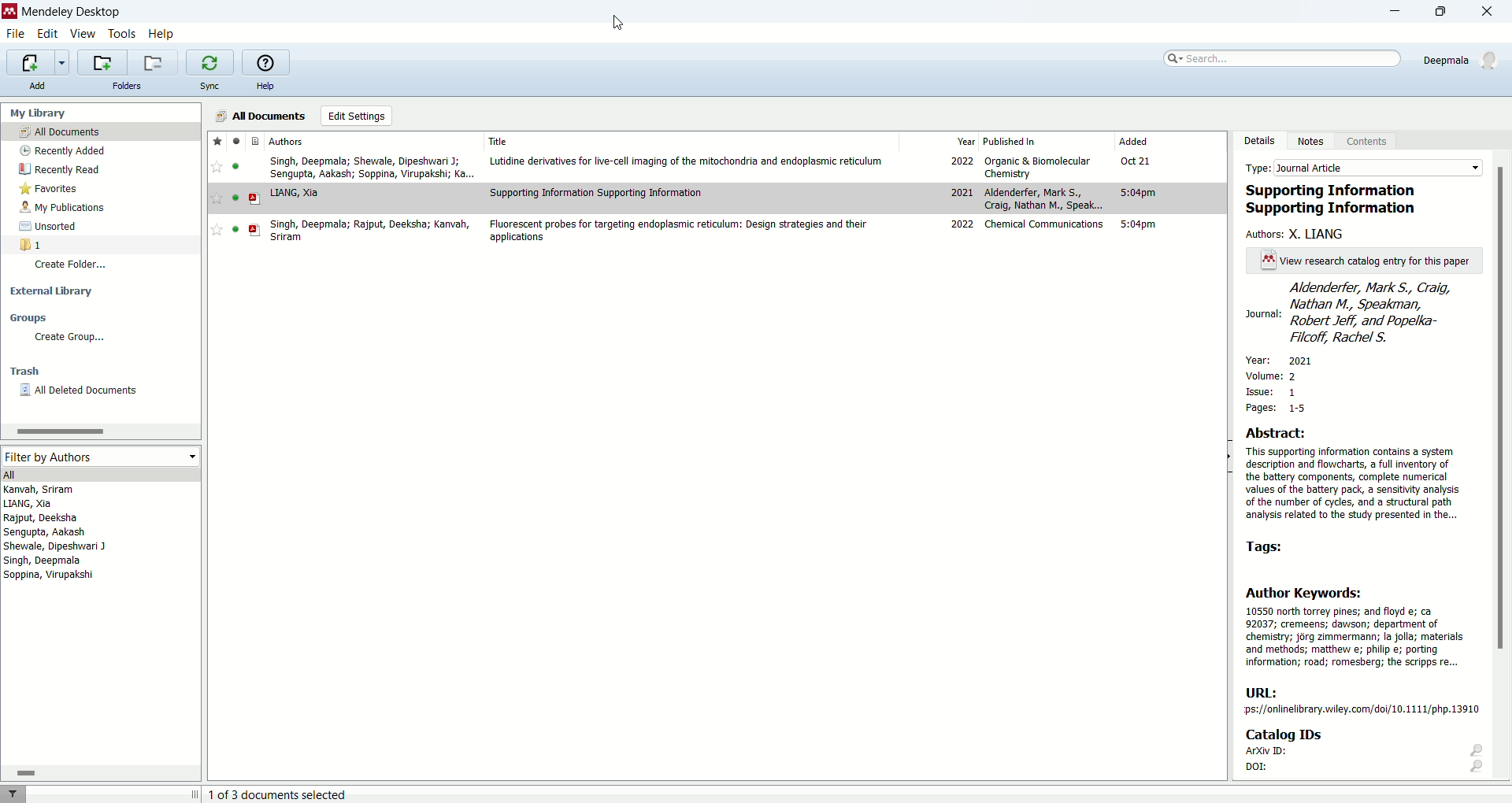 The width and height of the screenshot is (1512, 803). Describe the element at coordinates (1362, 753) in the screenshot. I see `ArXiv ID: ` at that location.